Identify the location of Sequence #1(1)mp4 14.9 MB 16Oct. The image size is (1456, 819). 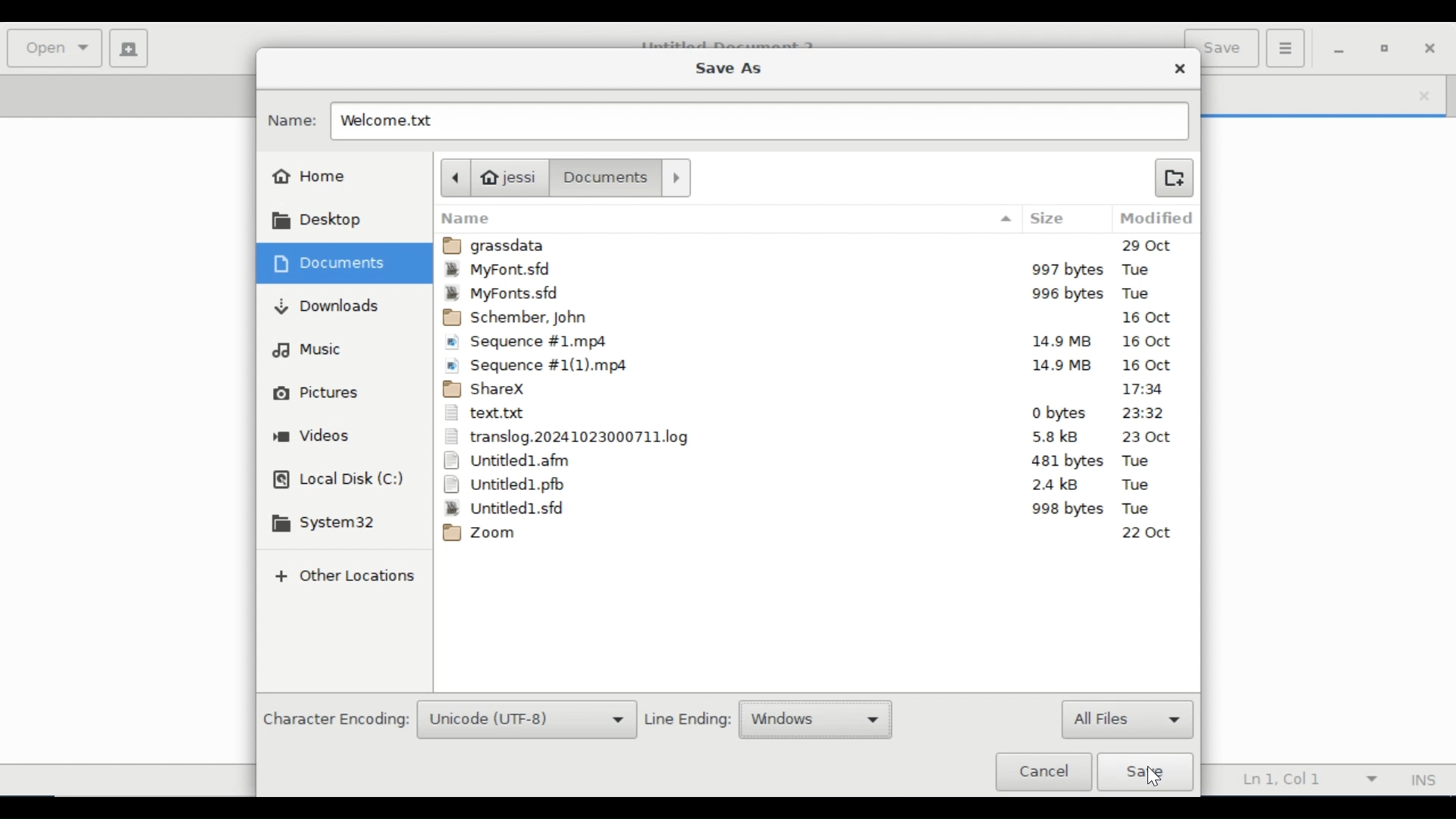
(814, 365).